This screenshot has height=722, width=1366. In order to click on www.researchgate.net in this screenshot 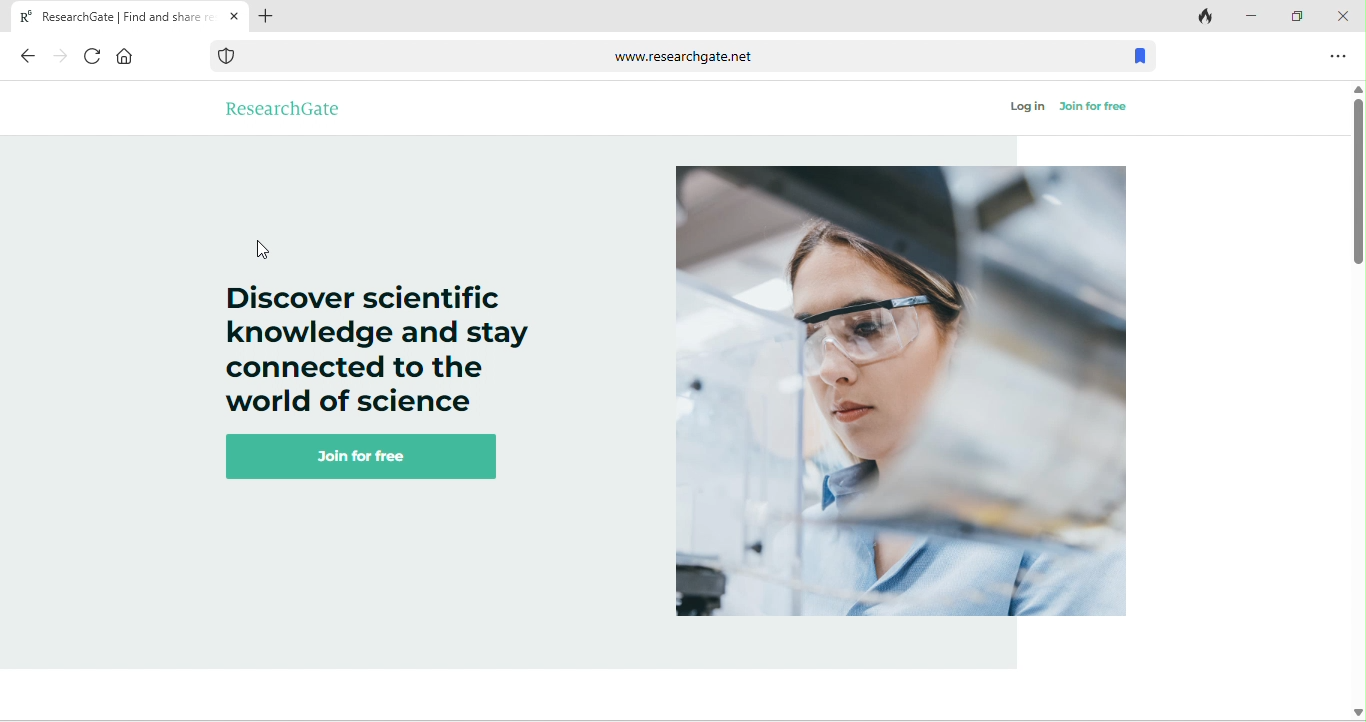, I will do `click(653, 54)`.